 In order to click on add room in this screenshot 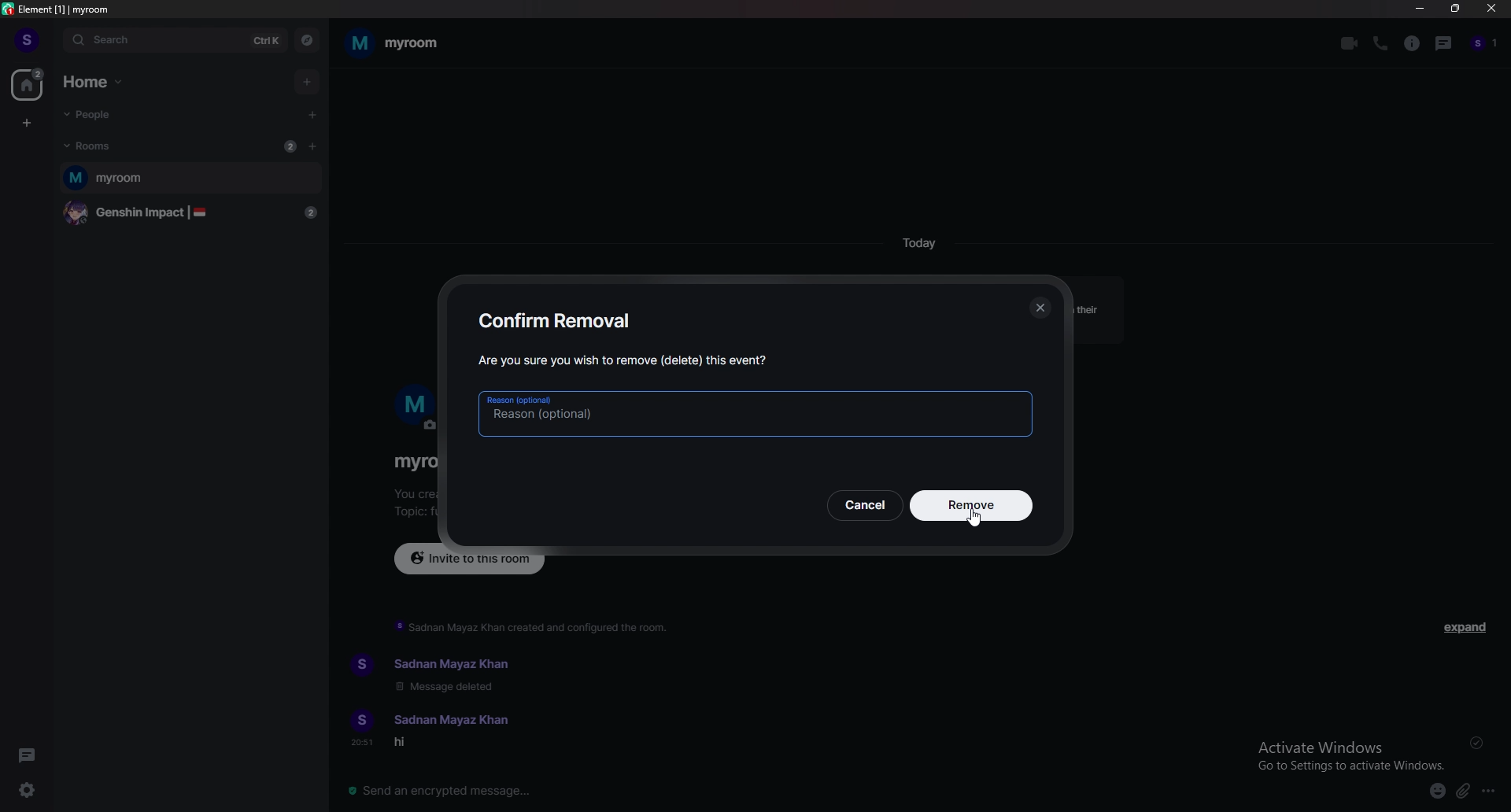, I will do `click(313, 146)`.